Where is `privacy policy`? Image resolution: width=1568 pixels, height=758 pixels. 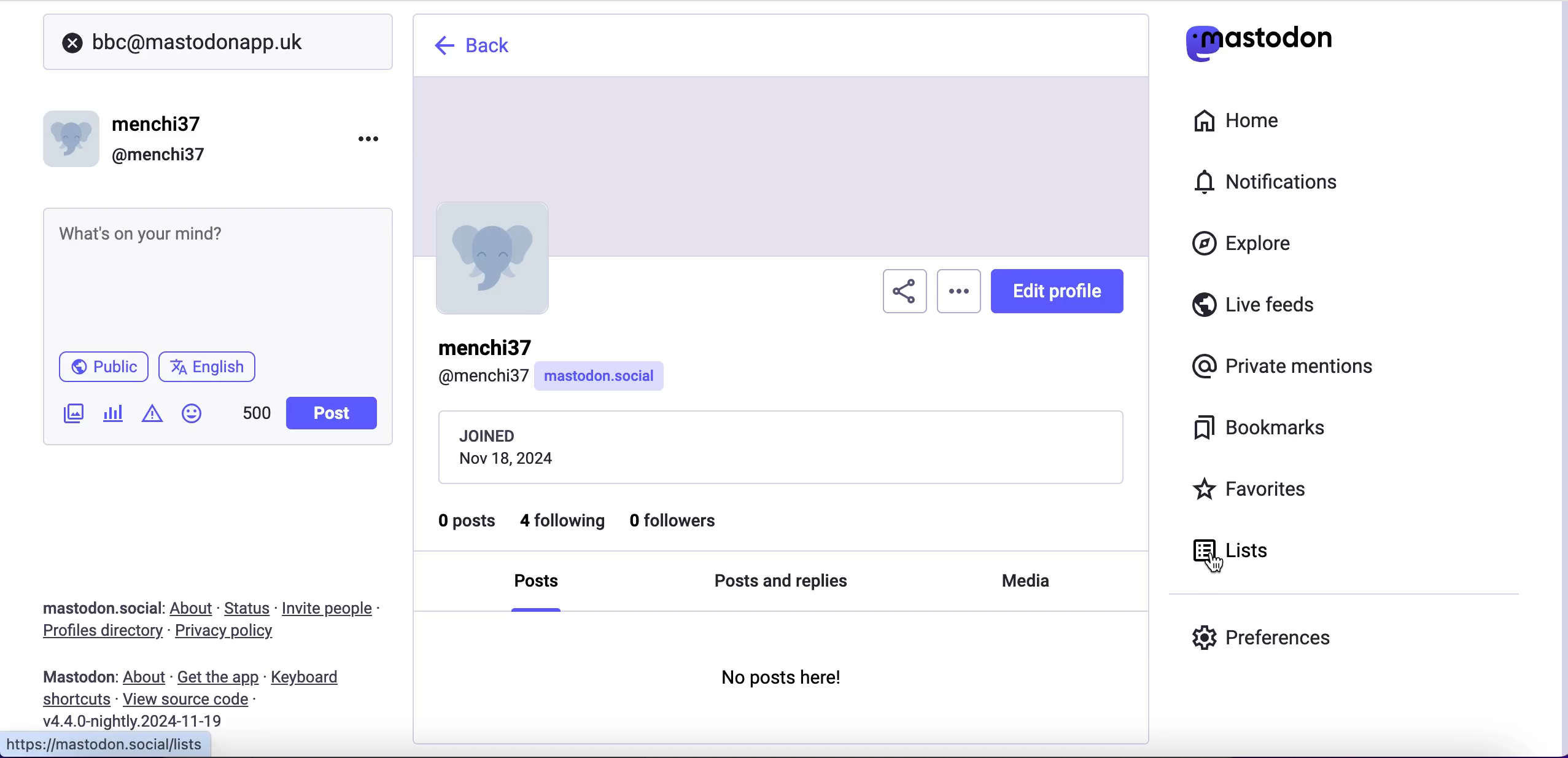
privacy policy is located at coordinates (235, 633).